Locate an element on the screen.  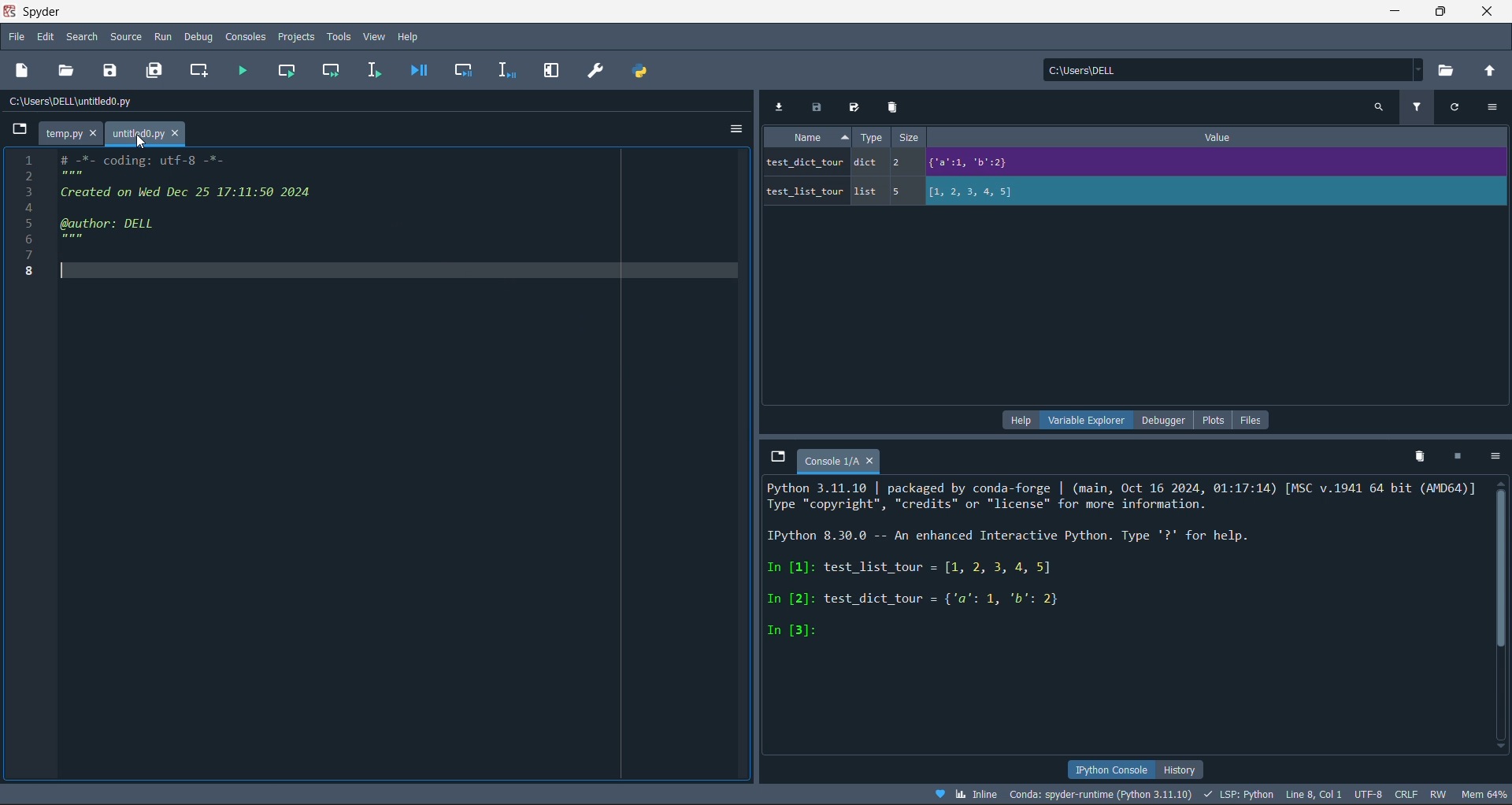
open directory is located at coordinates (1488, 69).